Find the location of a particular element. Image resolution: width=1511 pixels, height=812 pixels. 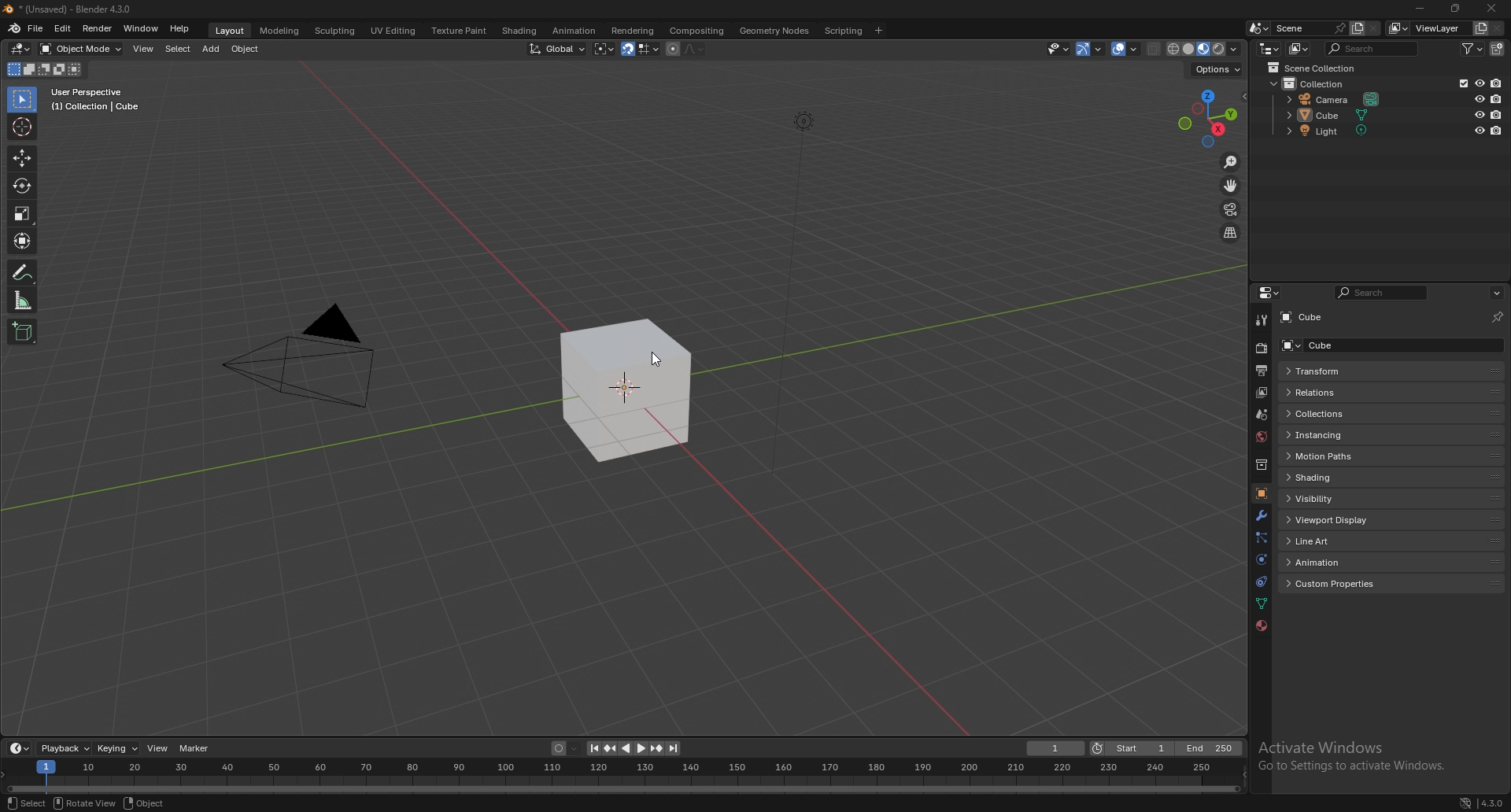

auto keying is located at coordinates (564, 749).